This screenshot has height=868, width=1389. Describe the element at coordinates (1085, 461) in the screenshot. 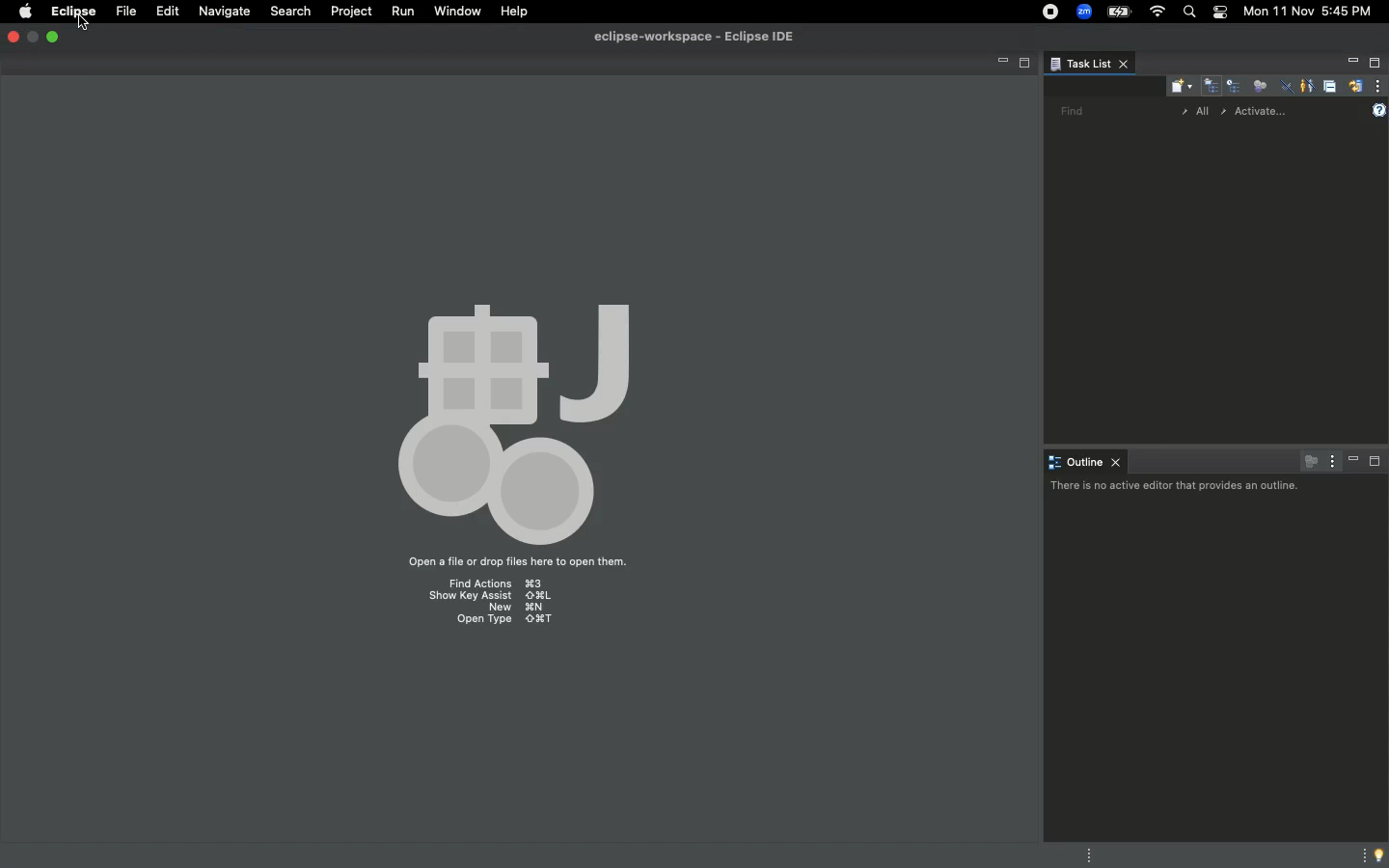

I see `Outline` at that location.